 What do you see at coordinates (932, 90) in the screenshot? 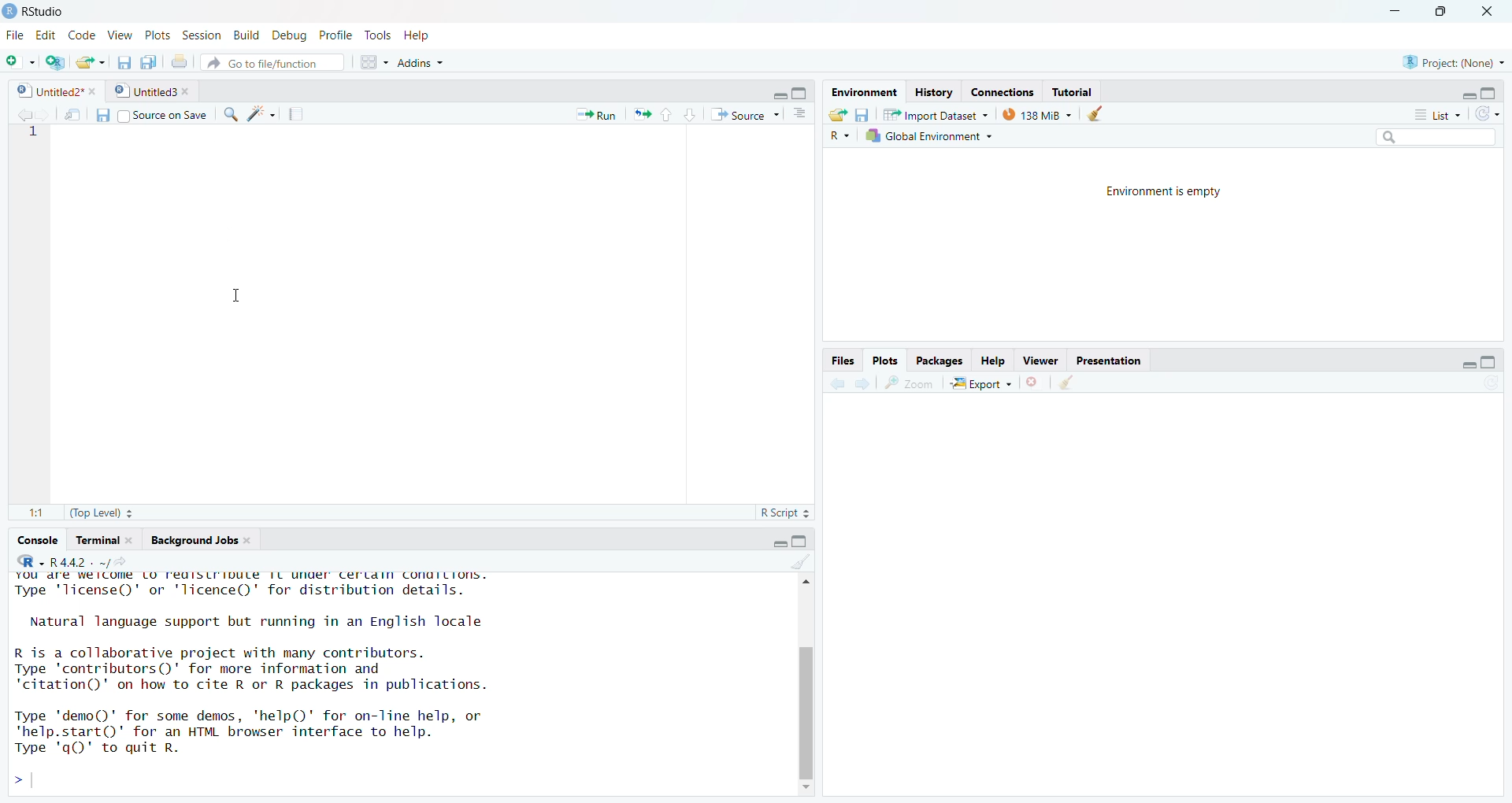
I see `History` at bounding box center [932, 90].